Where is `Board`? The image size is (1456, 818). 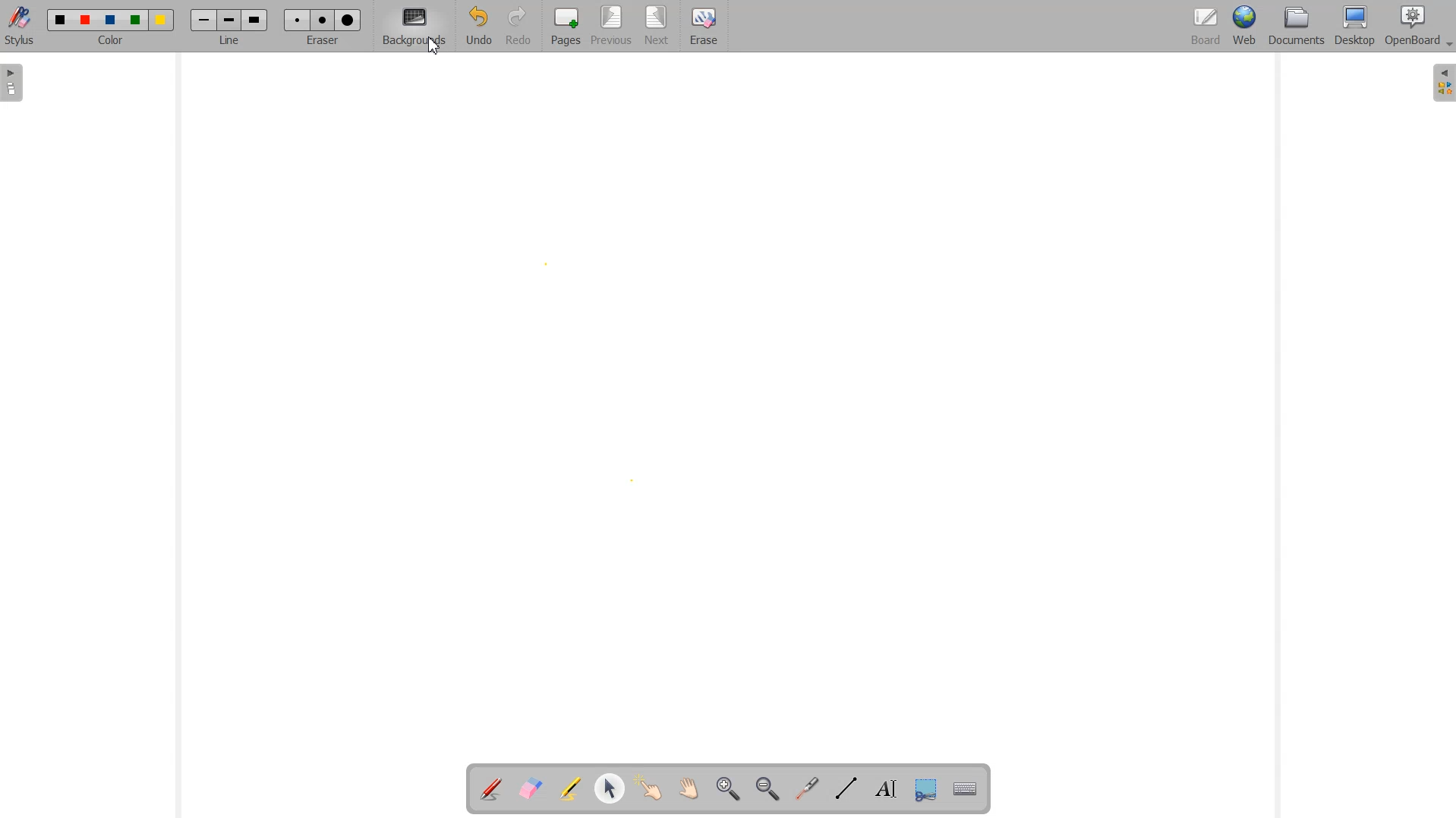 Board is located at coordinates (1205, 27).